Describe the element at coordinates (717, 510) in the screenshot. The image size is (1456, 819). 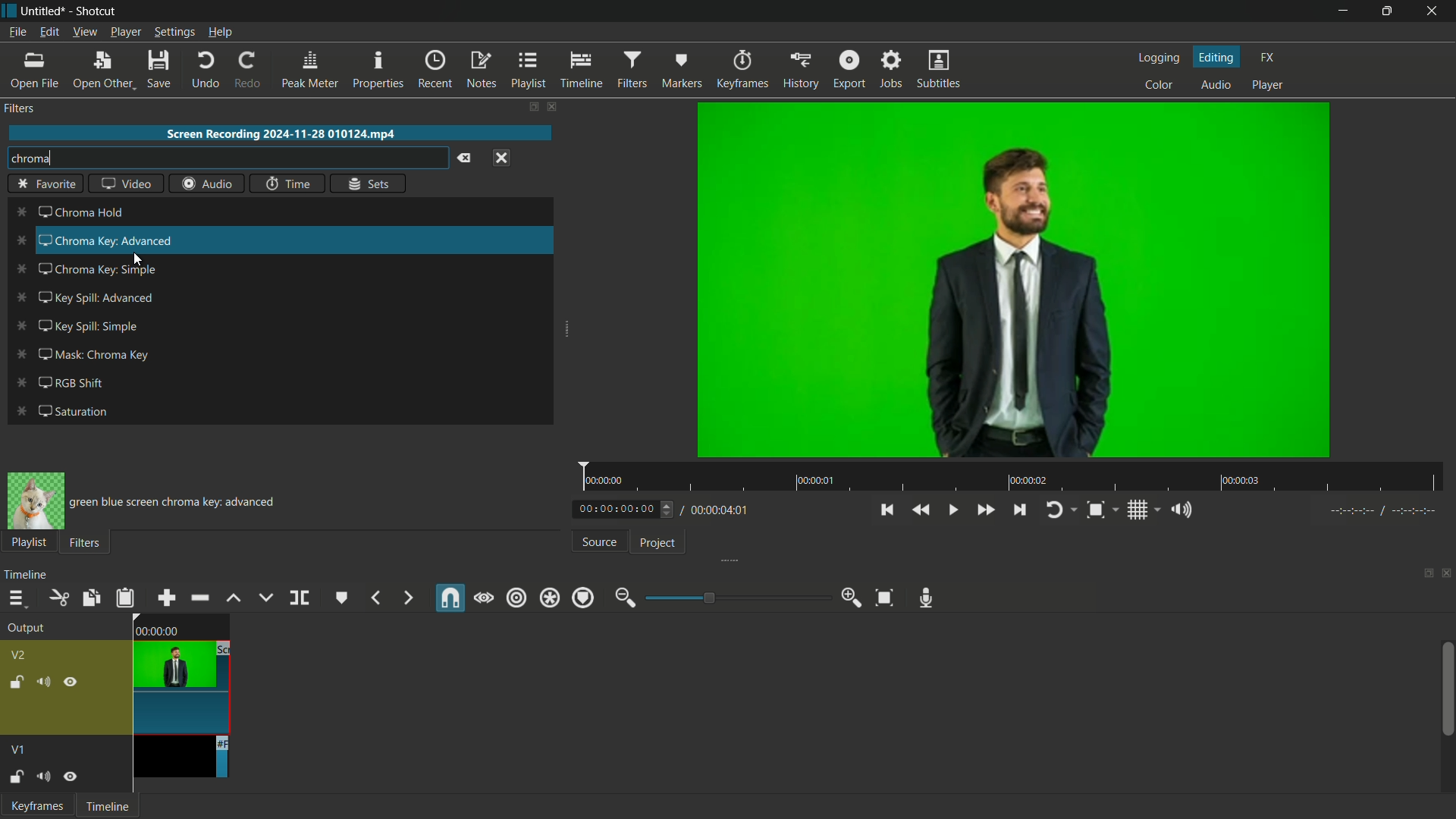
I see `total time` at that location.